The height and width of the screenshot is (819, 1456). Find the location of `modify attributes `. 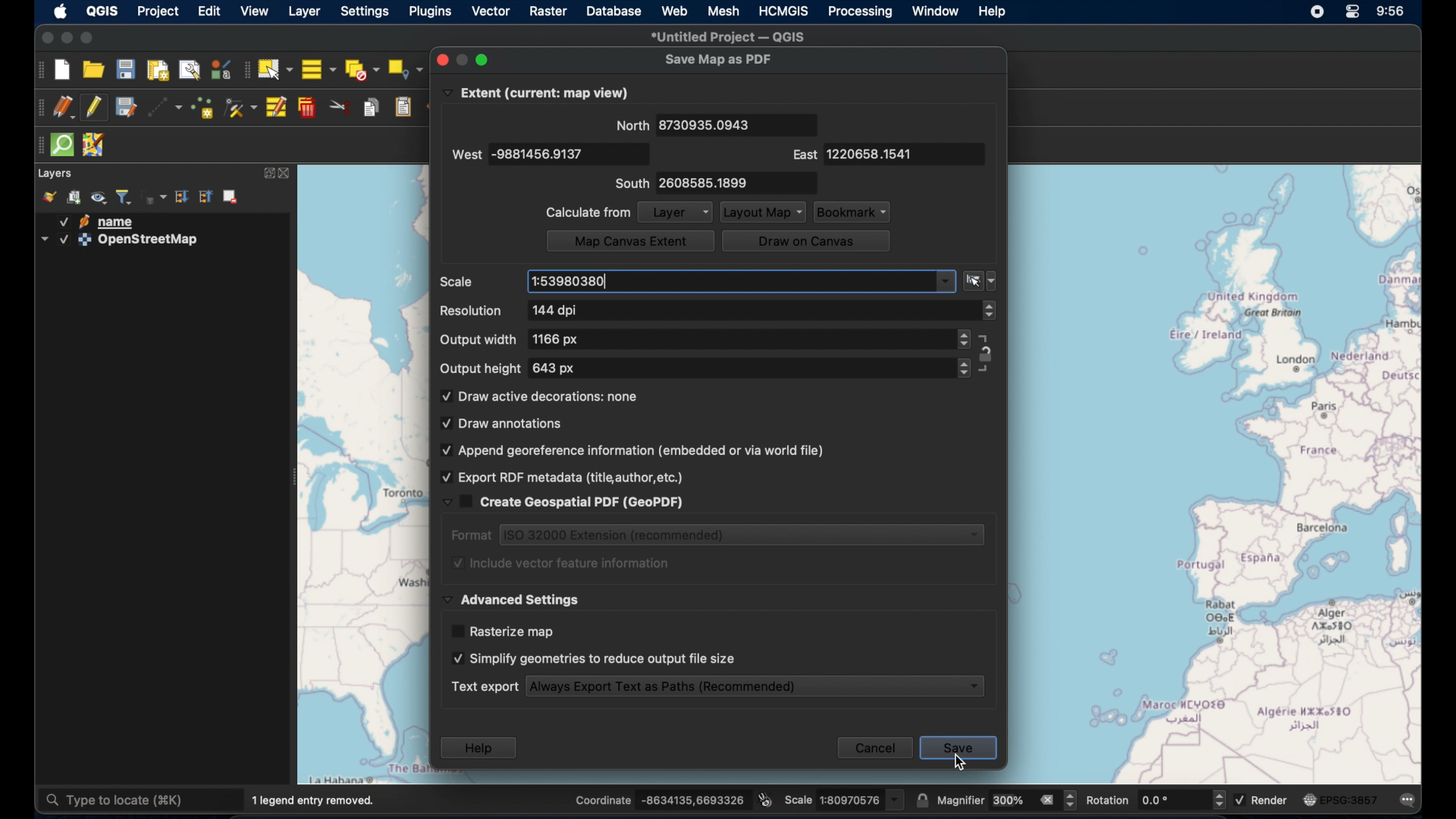

modify attributes  is located at coordinates (275, 108).